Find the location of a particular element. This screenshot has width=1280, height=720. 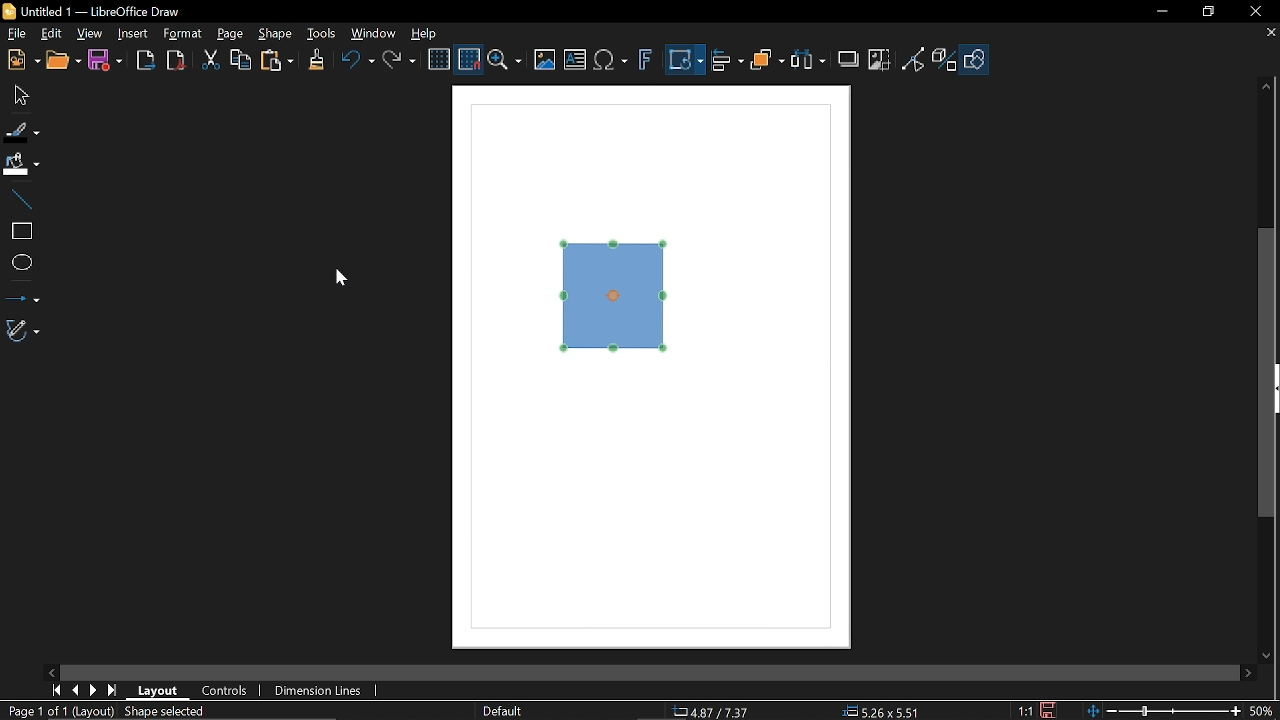

Line is located at coordinates (20, 200).